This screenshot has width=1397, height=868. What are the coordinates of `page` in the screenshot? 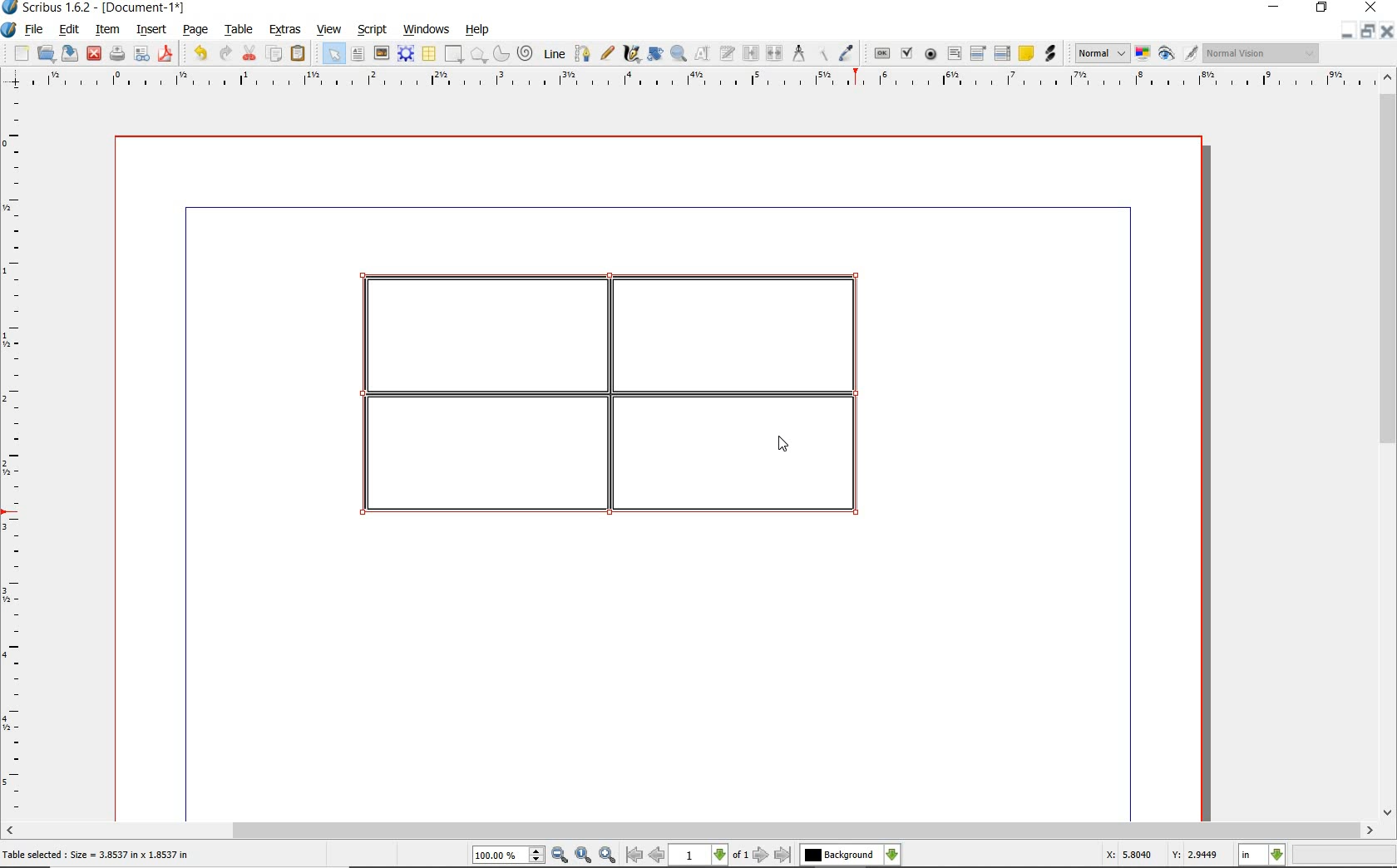 It's located at (195, 31).